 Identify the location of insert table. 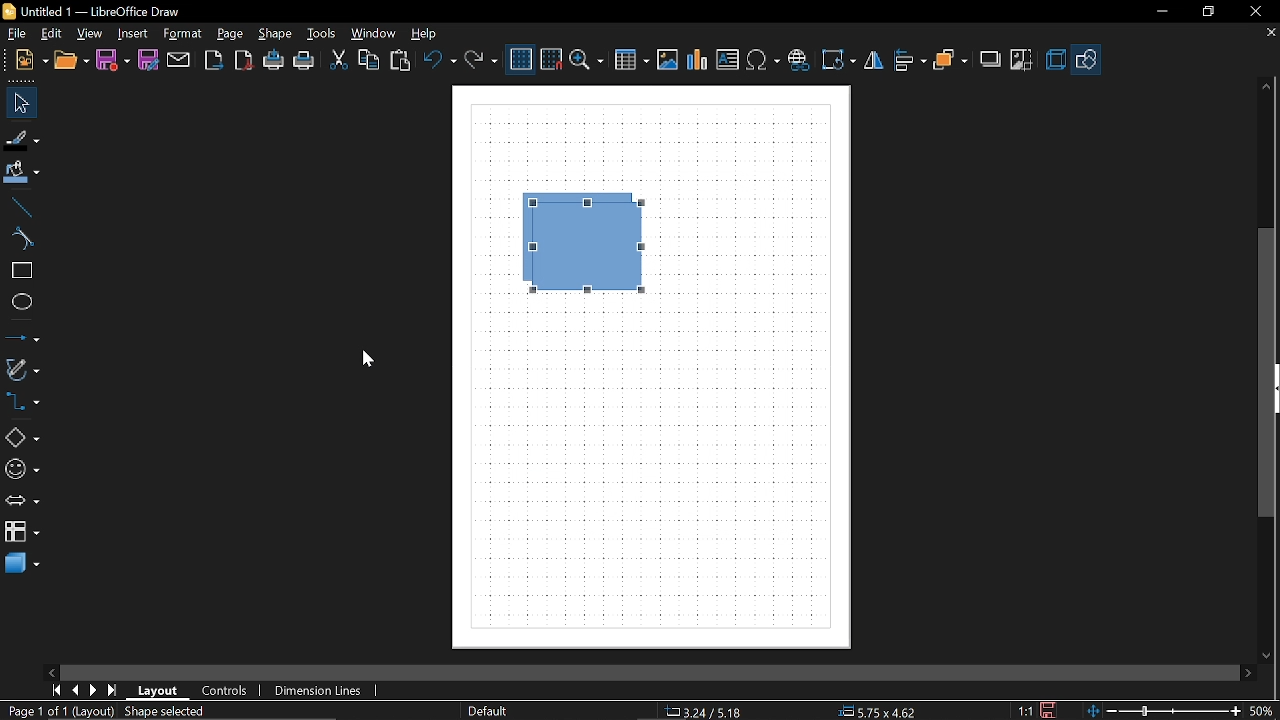
(631, 61).